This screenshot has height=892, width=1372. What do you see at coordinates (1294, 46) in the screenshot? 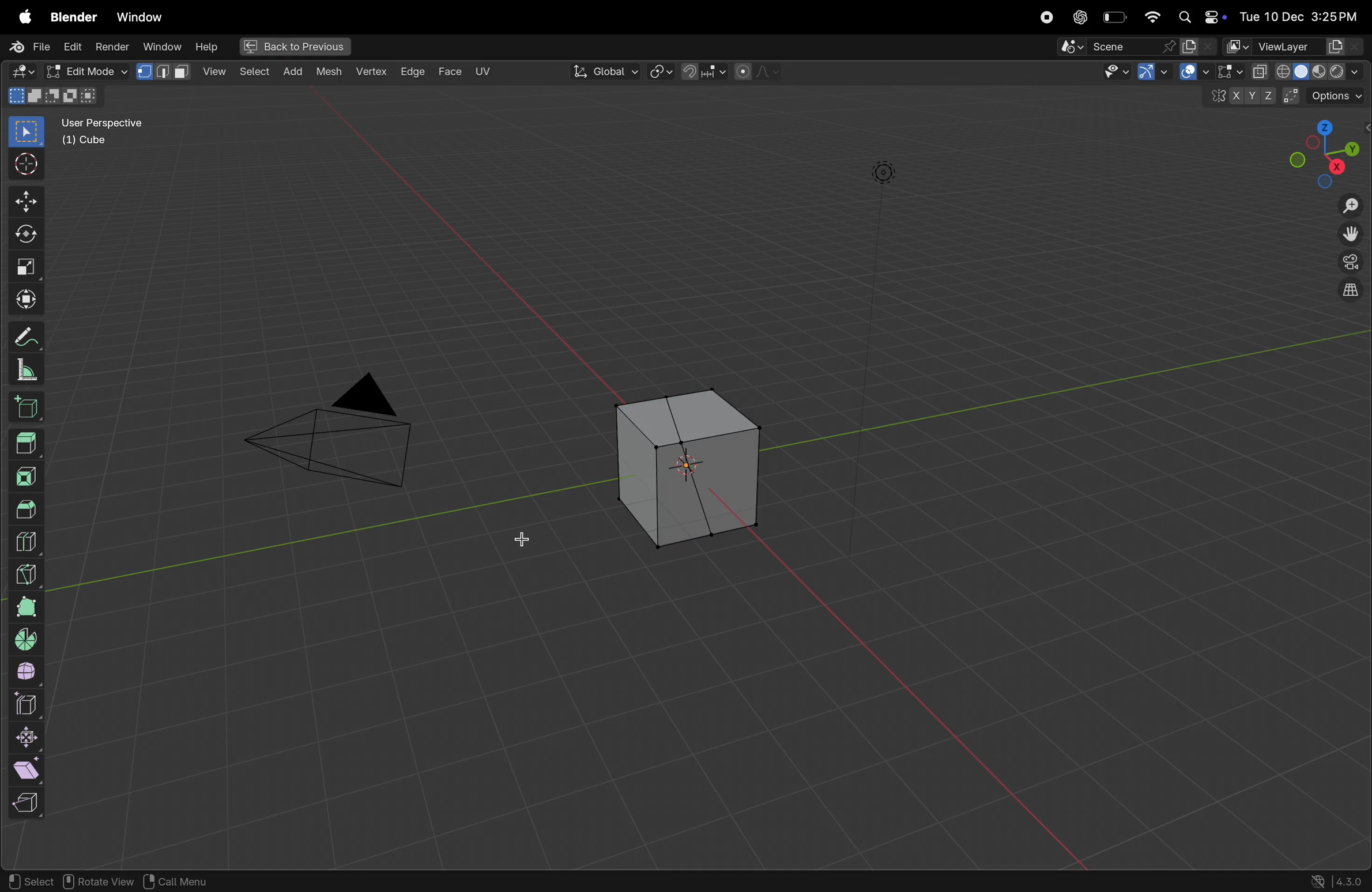
I see `View layer` at bounding box center [1294, 46].